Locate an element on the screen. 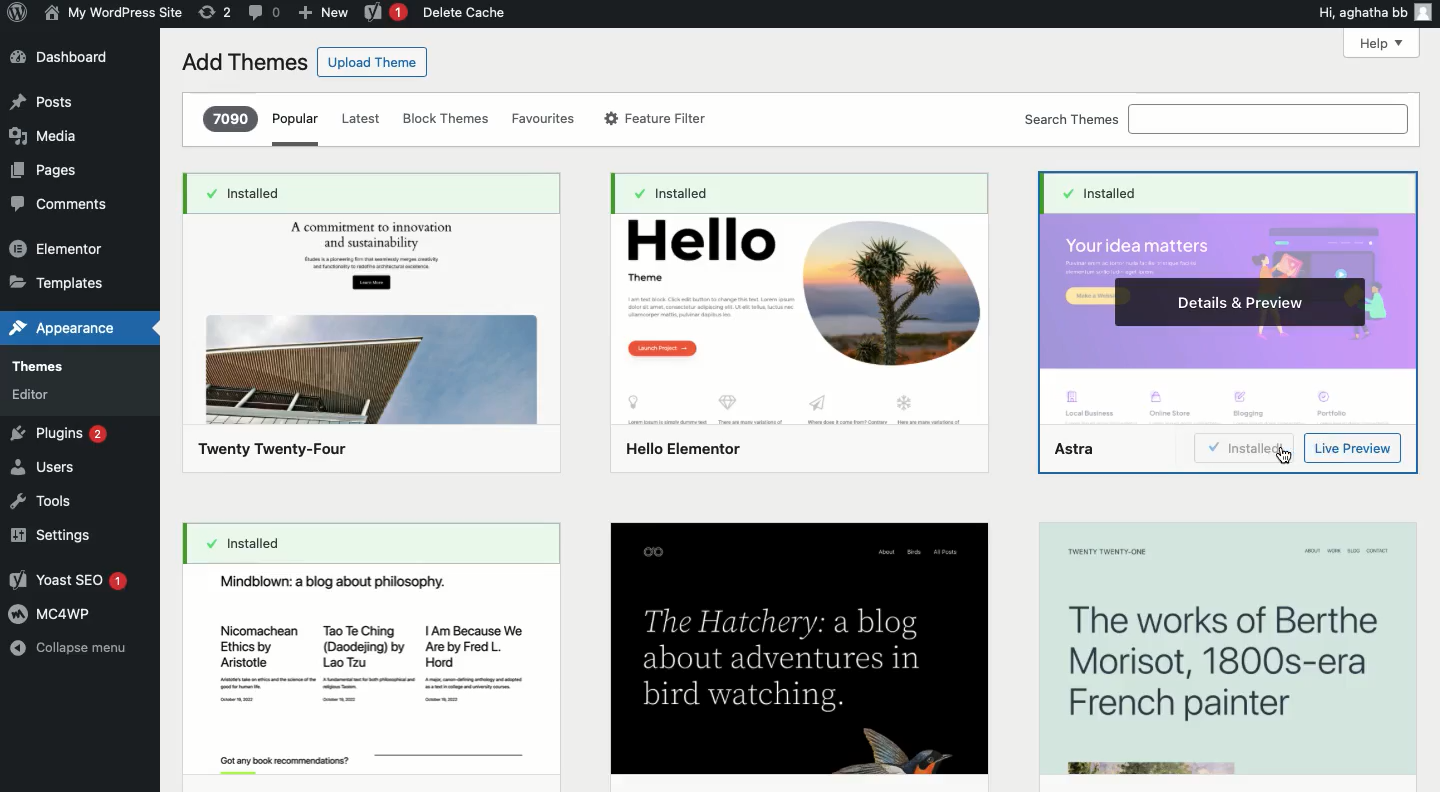 The width and height of the screenshot is (1440, 792). installed is located at coordinates (797, 195).